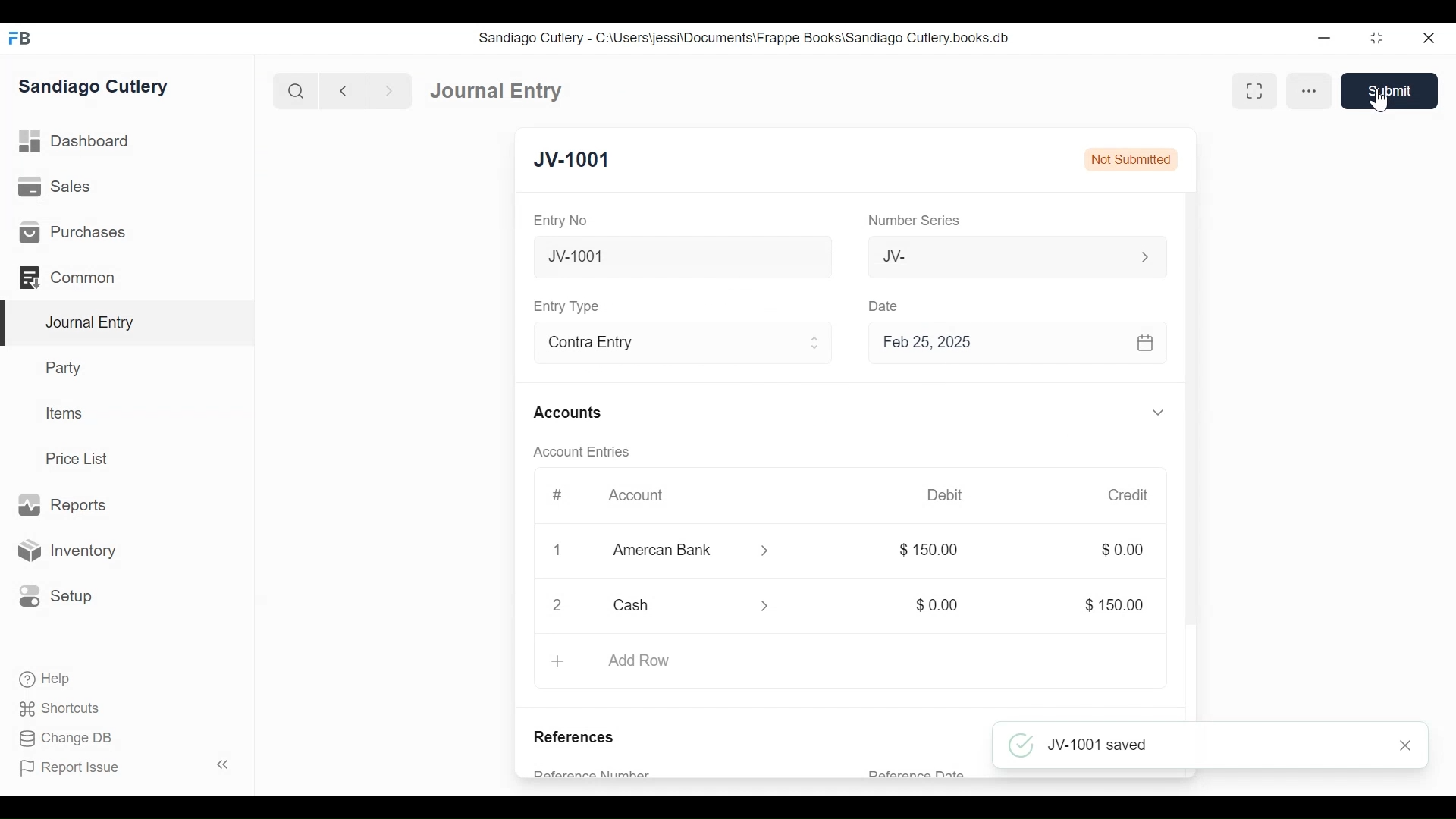 Image resolution: width=1456 pixels, height=819 pixels. I want to click on Purchases, so click(71, 232).